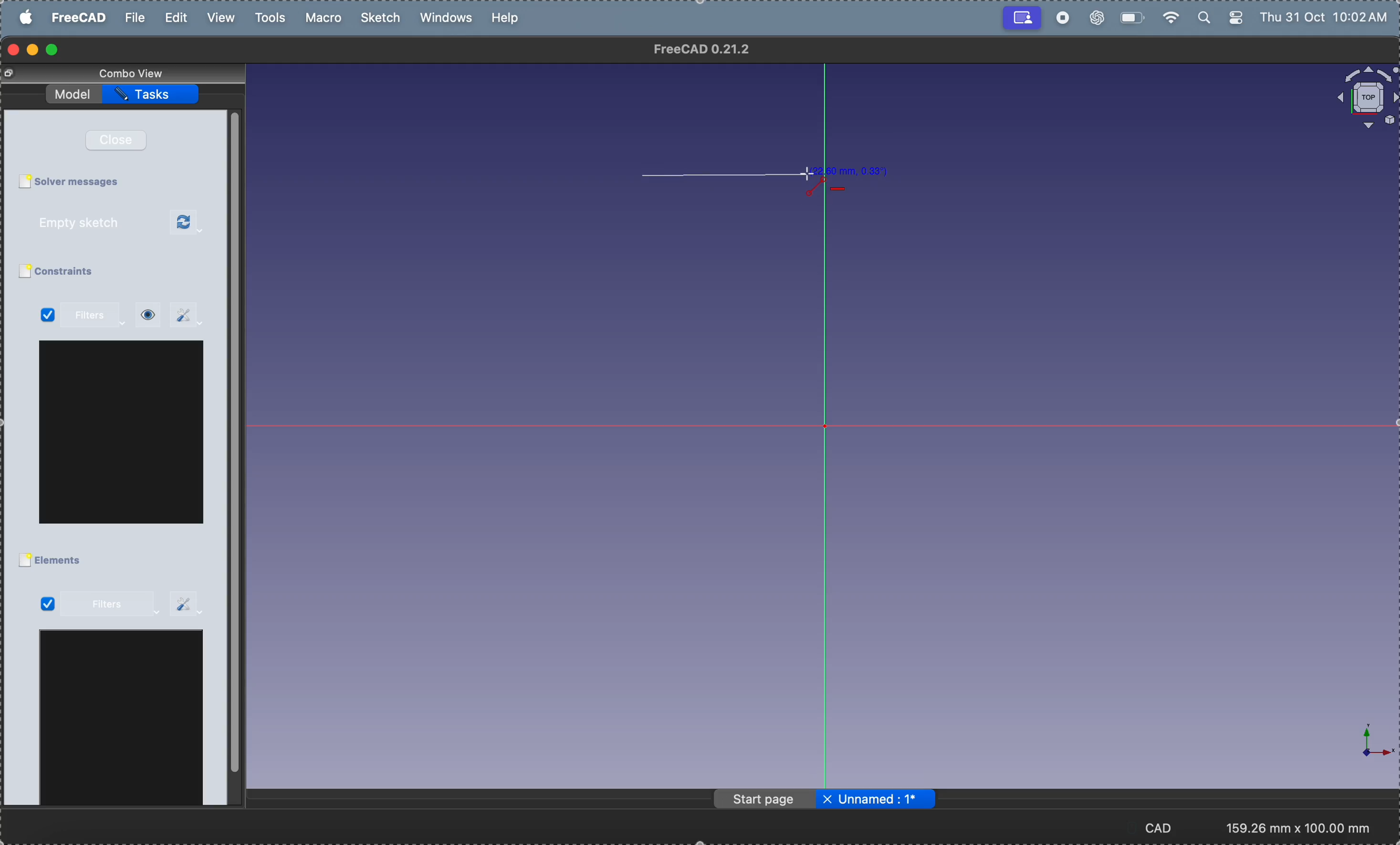 The height and width of the screenshot is (845, 1400). Describe the element at coordinates (450, 19) in the screenshot. I see `windows` at that location.